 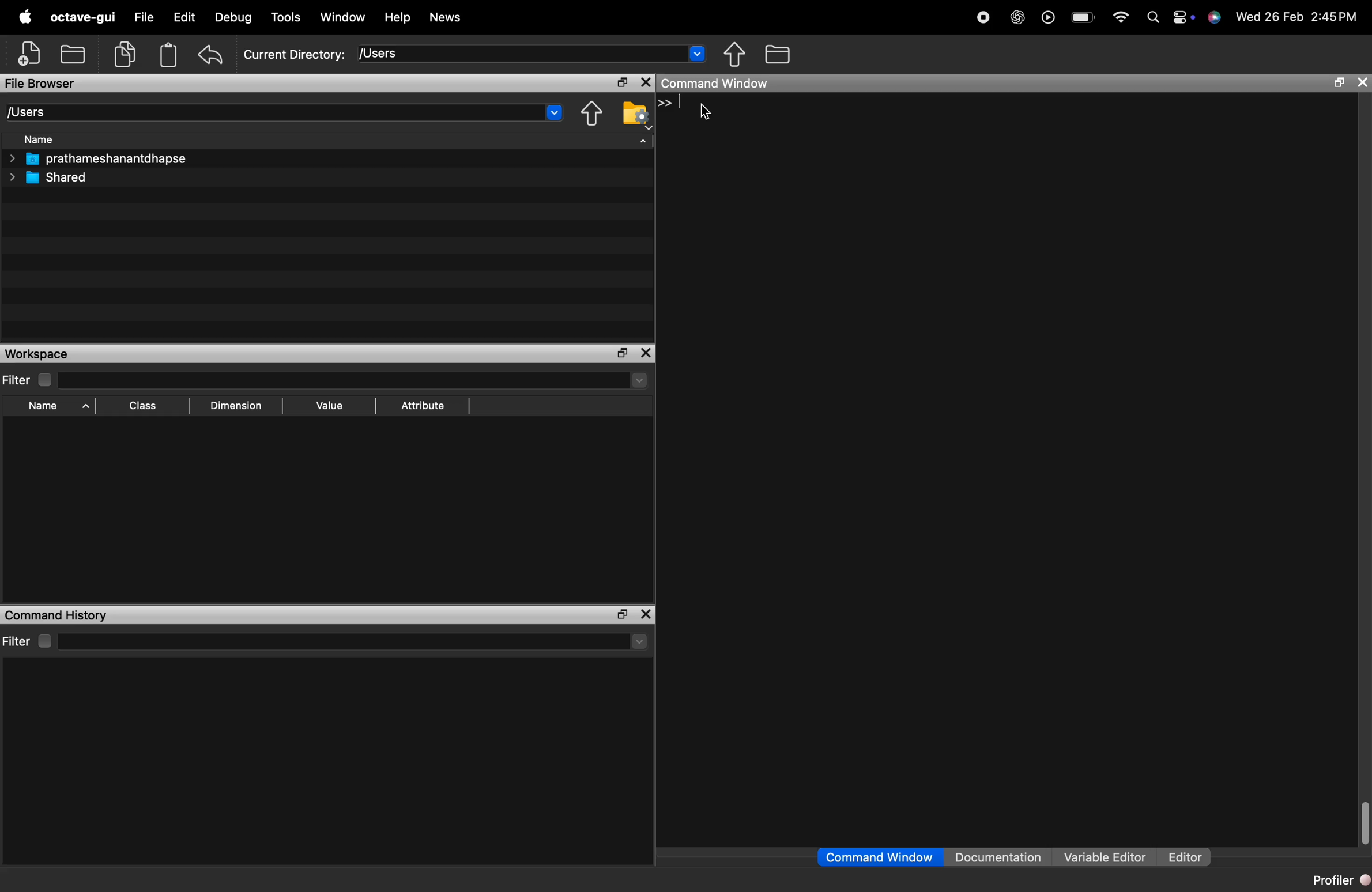 I want to click on prathameshanantdhapse, so click(x=108, y=160).